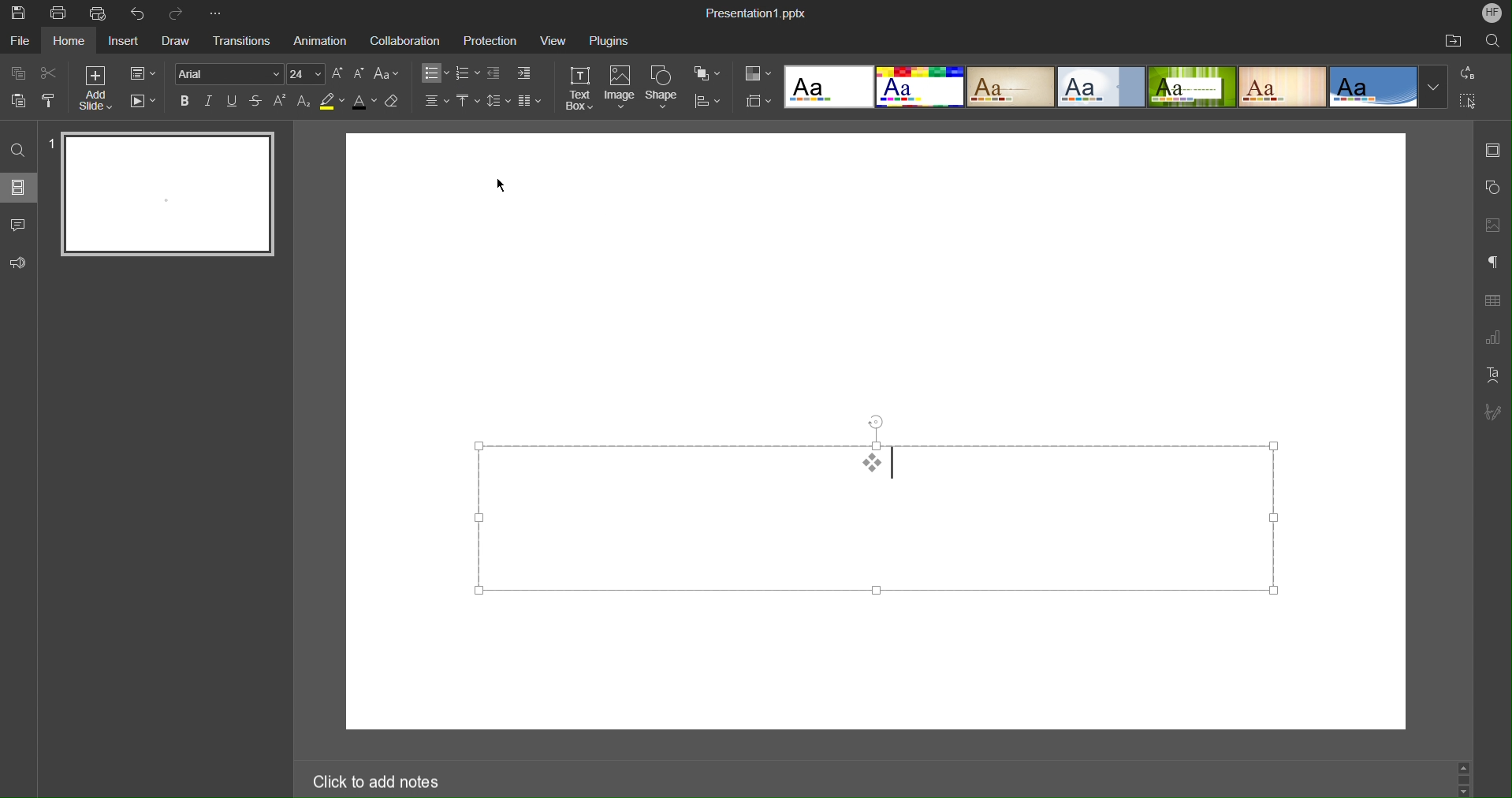 This screenshot has width=1512, height=798. I want to click on Draw, so click(176, 42).